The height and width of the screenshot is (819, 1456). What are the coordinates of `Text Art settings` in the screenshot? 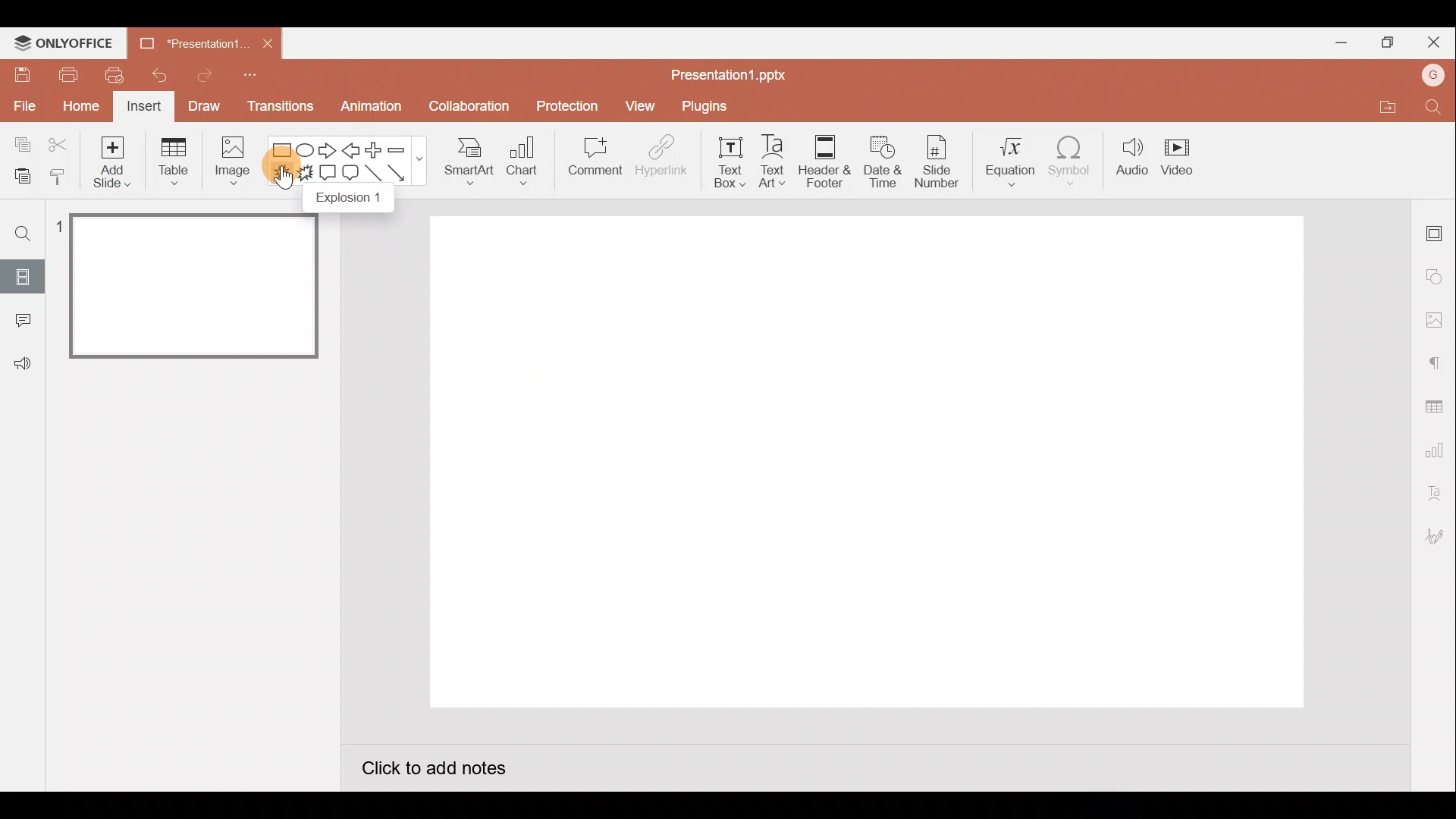 It's located at (1434, 490).